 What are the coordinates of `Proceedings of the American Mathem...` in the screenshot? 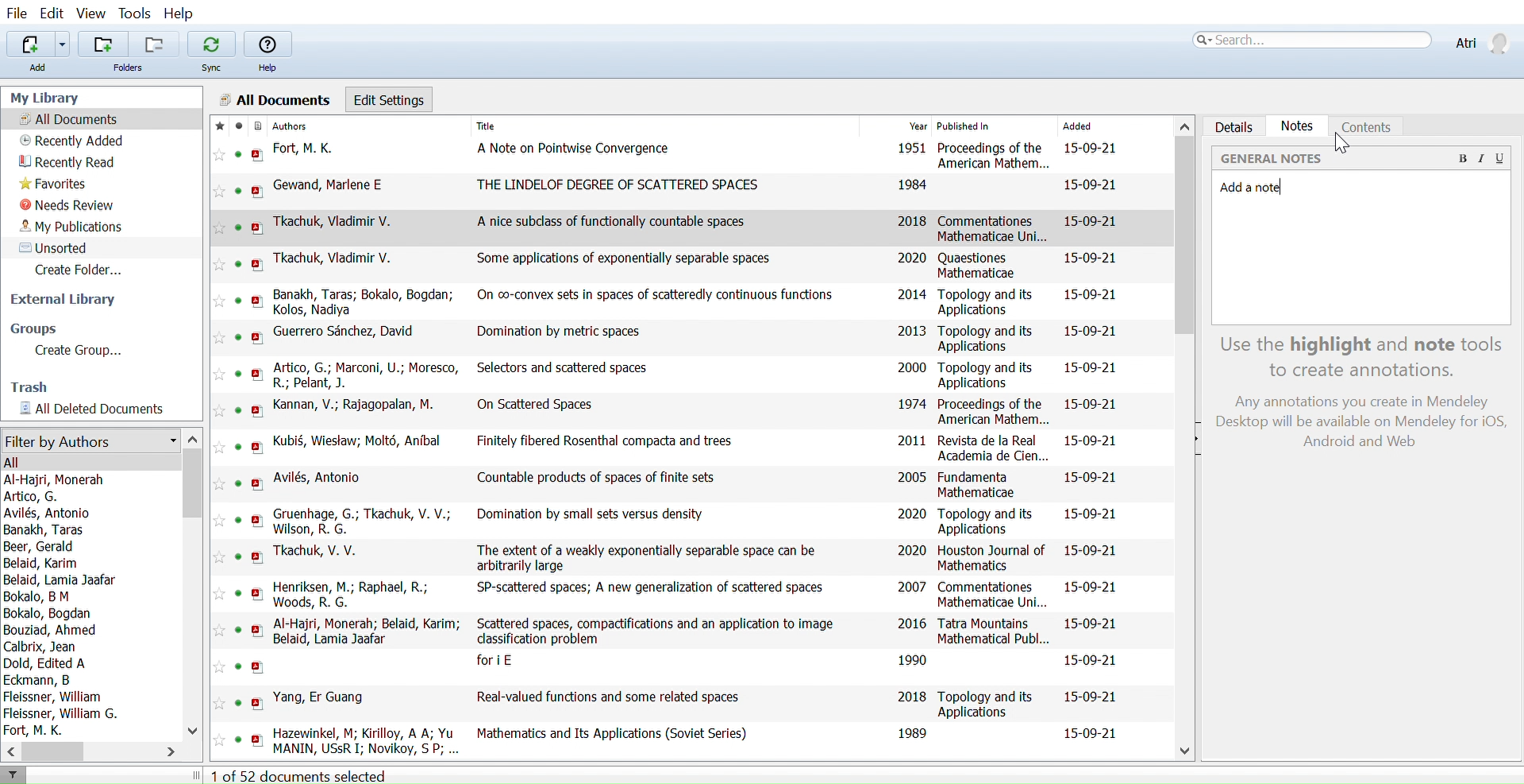 It's located at (994, 156).